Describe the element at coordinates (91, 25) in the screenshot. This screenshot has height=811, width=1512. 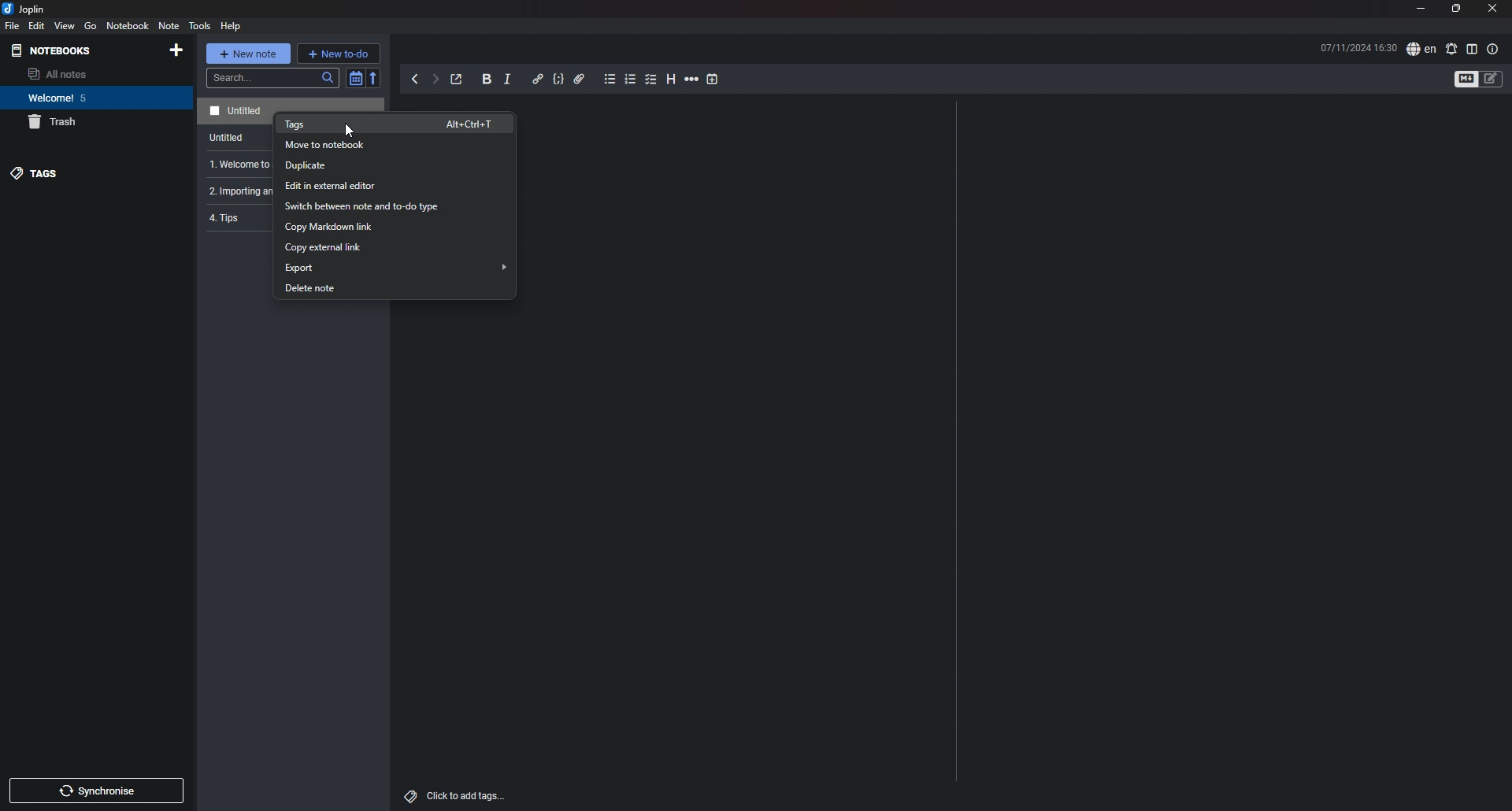
I see `go` at that location.